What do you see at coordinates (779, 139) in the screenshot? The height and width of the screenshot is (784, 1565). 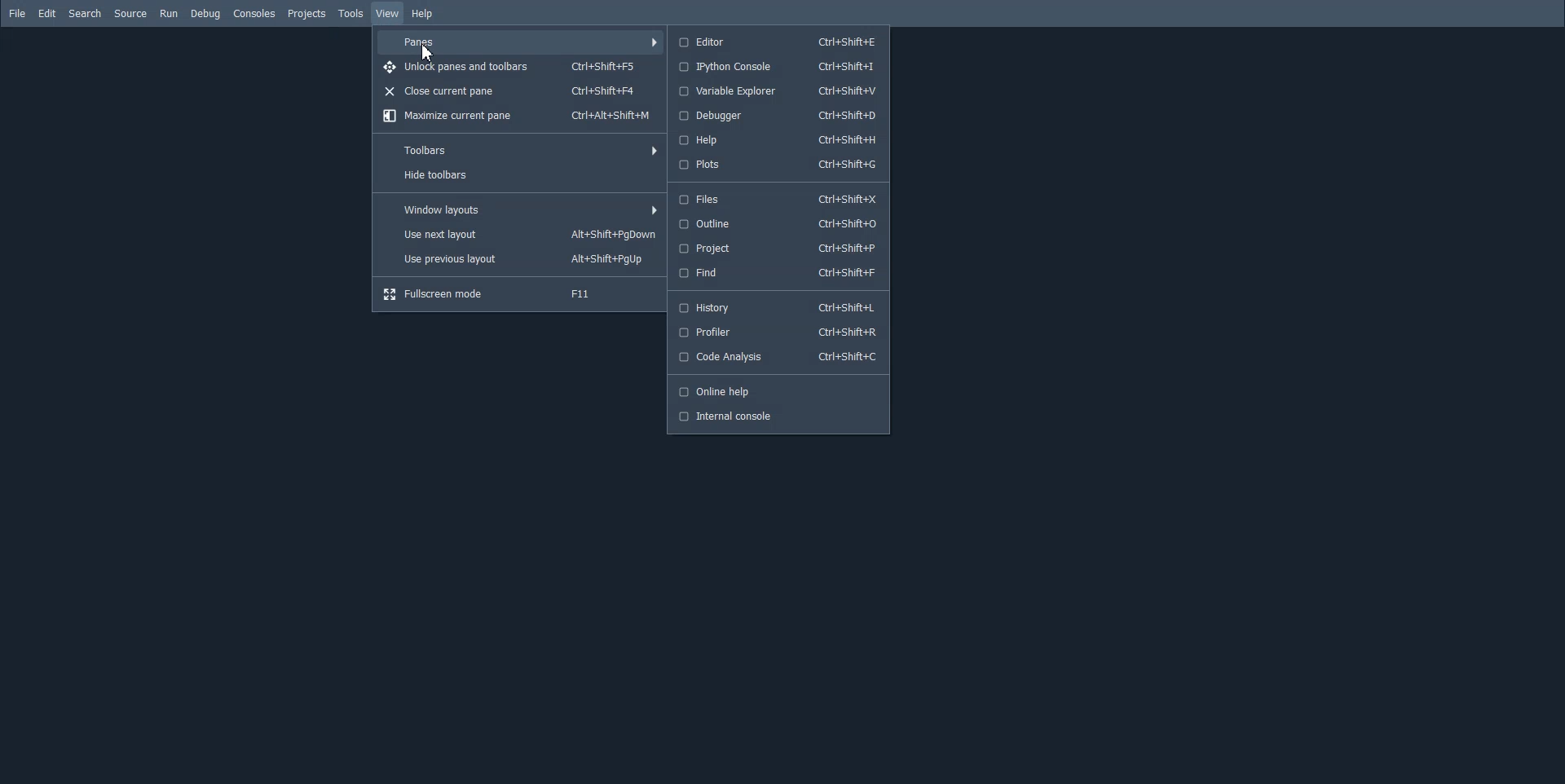 I see `Help` at bounding box center [779, 139].